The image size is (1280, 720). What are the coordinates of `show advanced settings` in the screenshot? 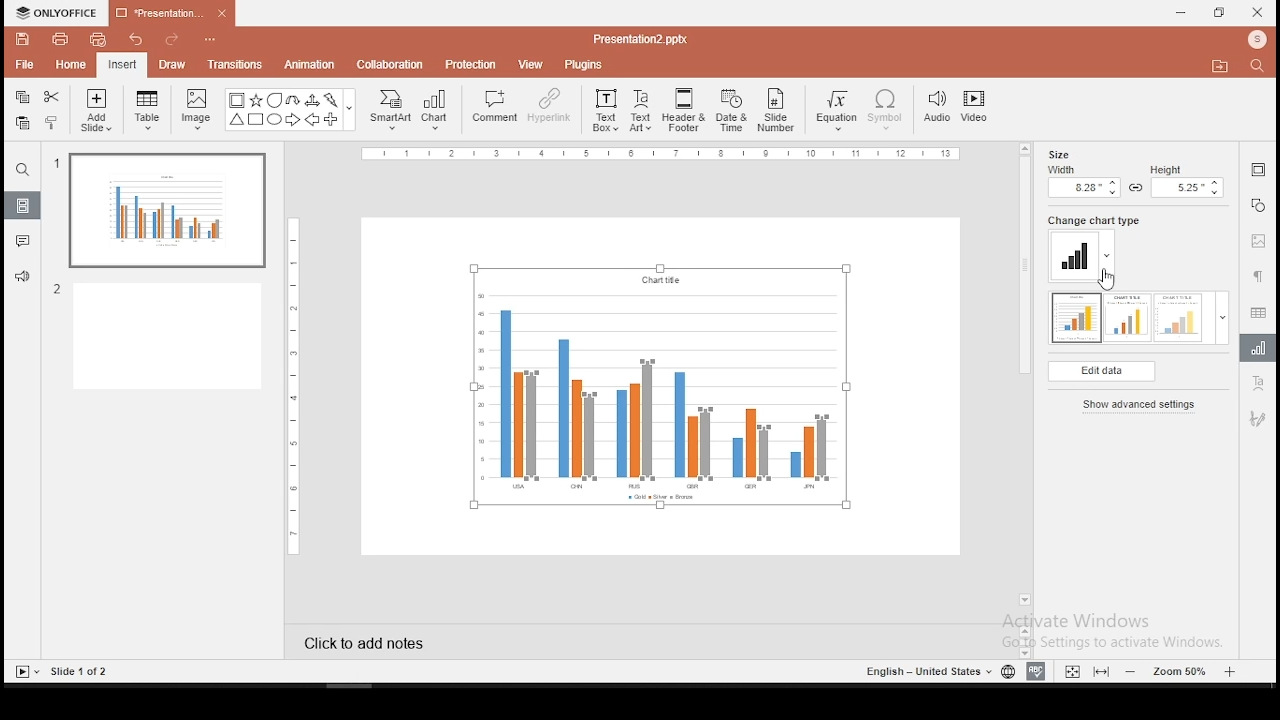 It's located at (1139, 407).